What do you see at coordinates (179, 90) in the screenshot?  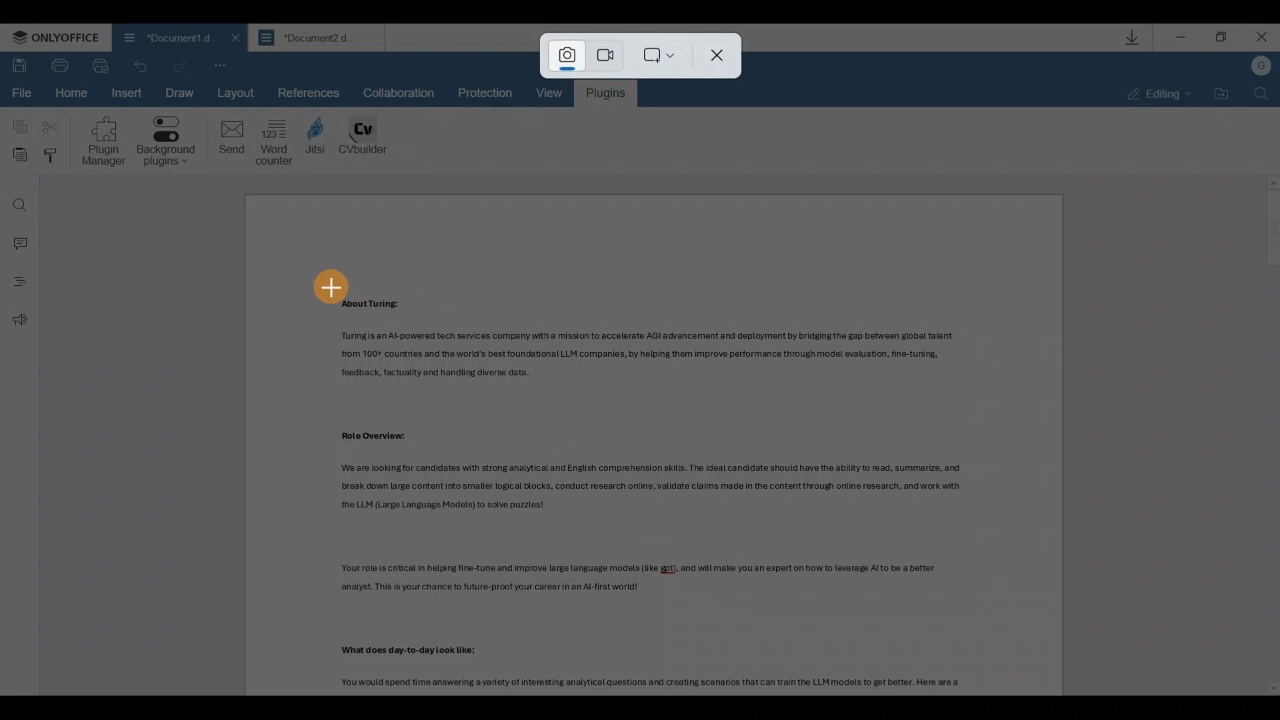 I see `Draw` at bounding box center [179, 90].